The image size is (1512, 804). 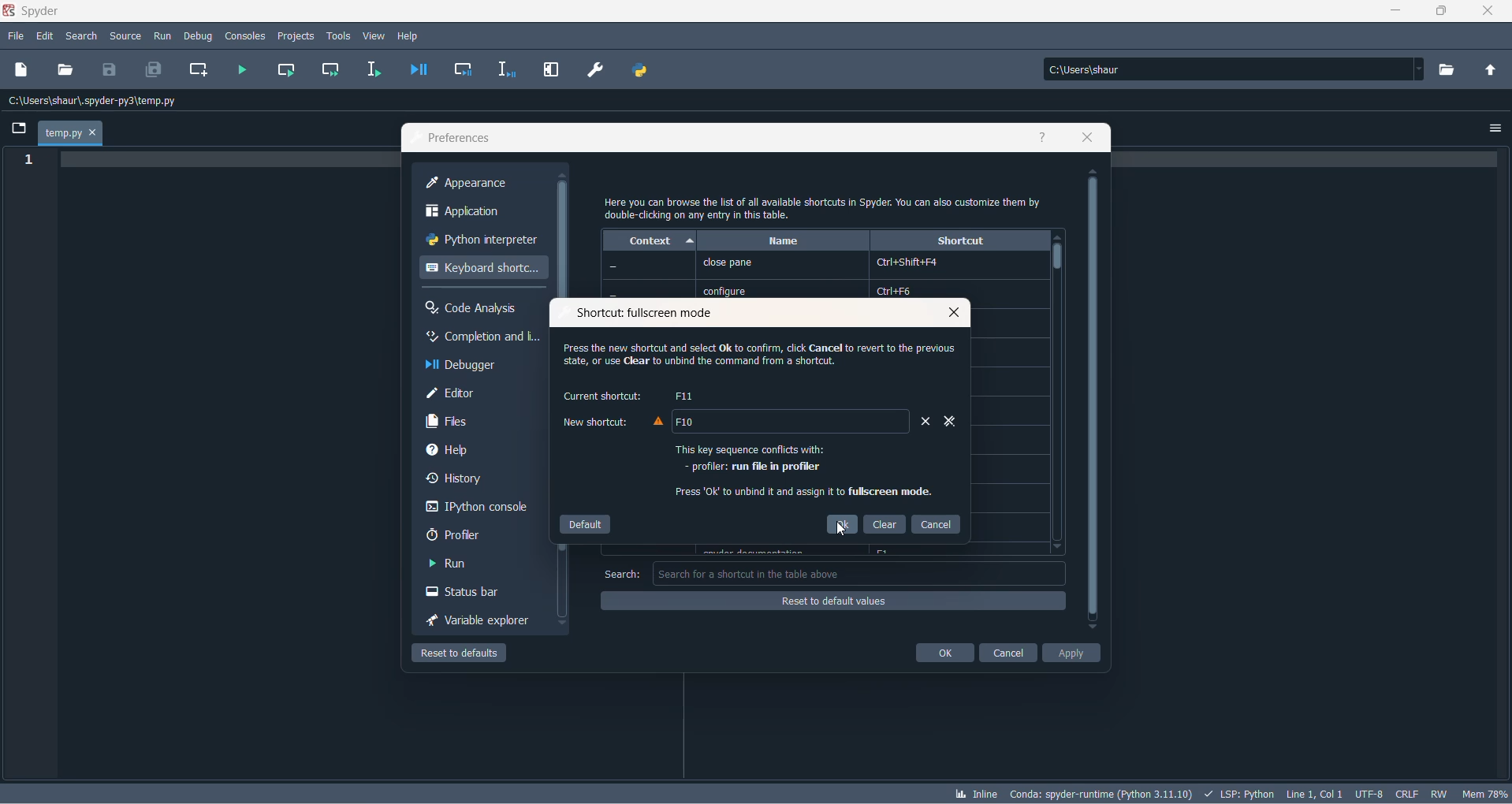 I want to click on name heading, so click(x=783, y=241).